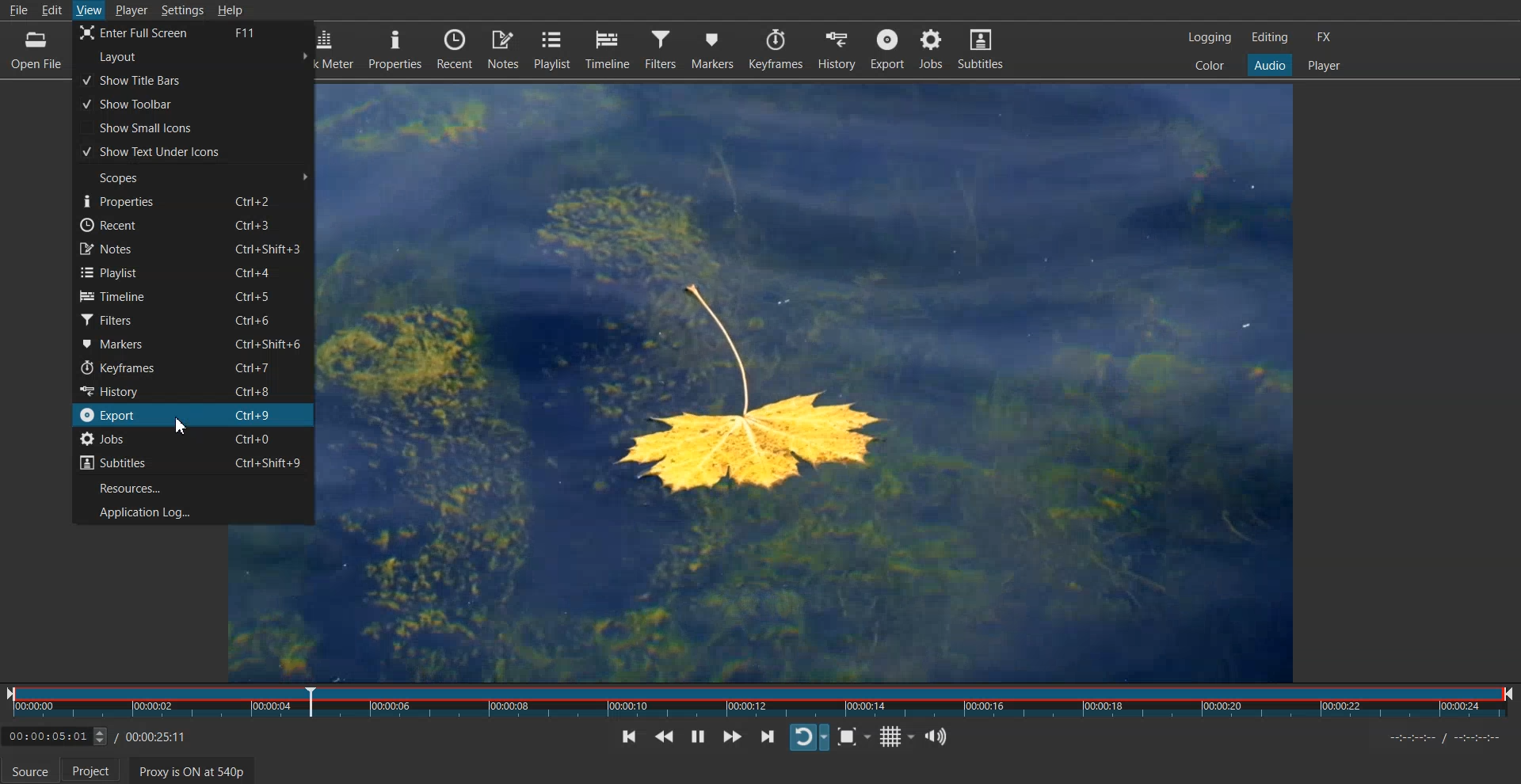 This screenshot has height=784, width=1521. What do you see at coordinates (608, 48) in the screenshot?
I see `Timeline` at bounding box center [608, 48].